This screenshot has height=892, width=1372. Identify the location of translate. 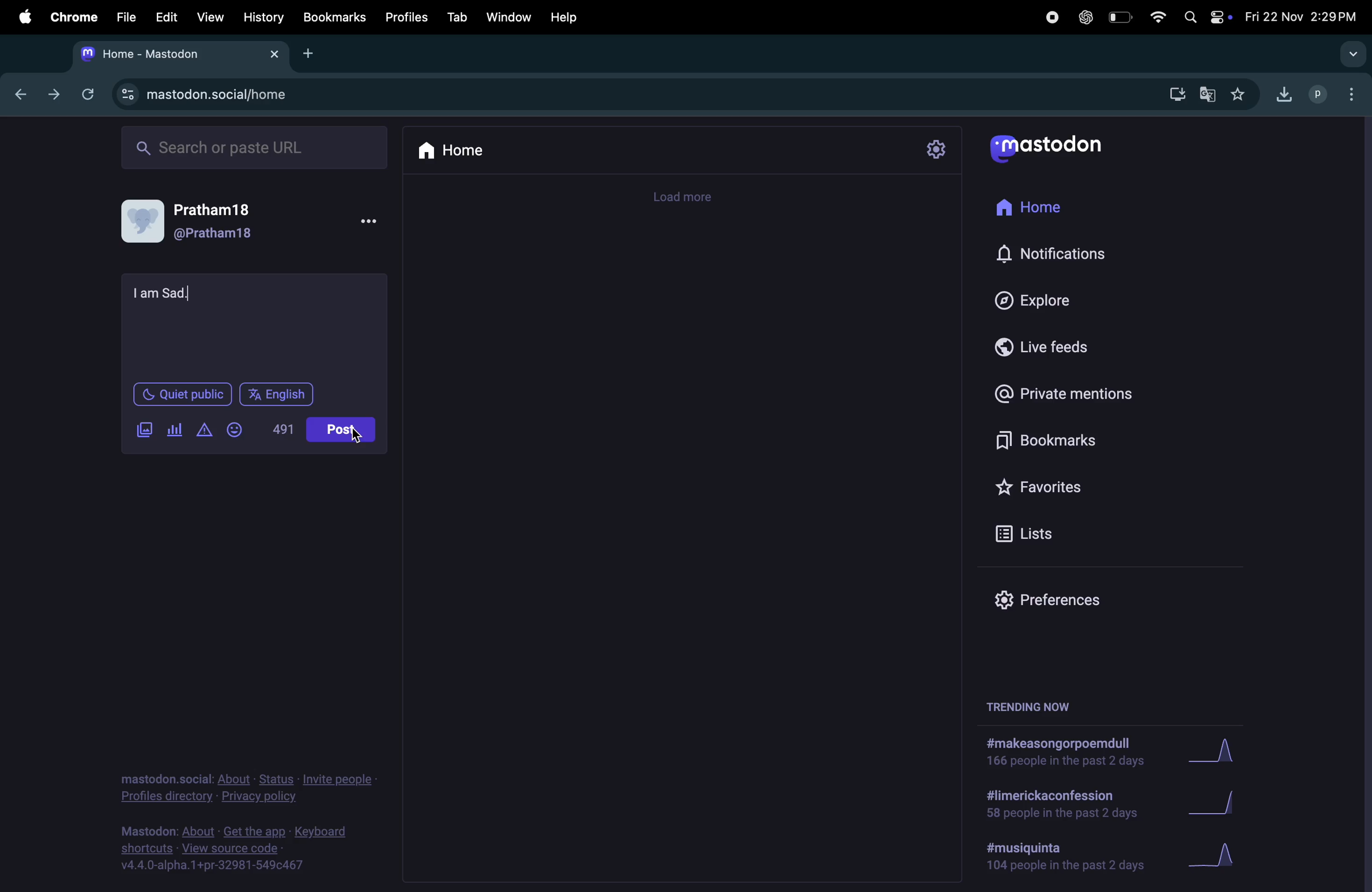
(1208, 94).